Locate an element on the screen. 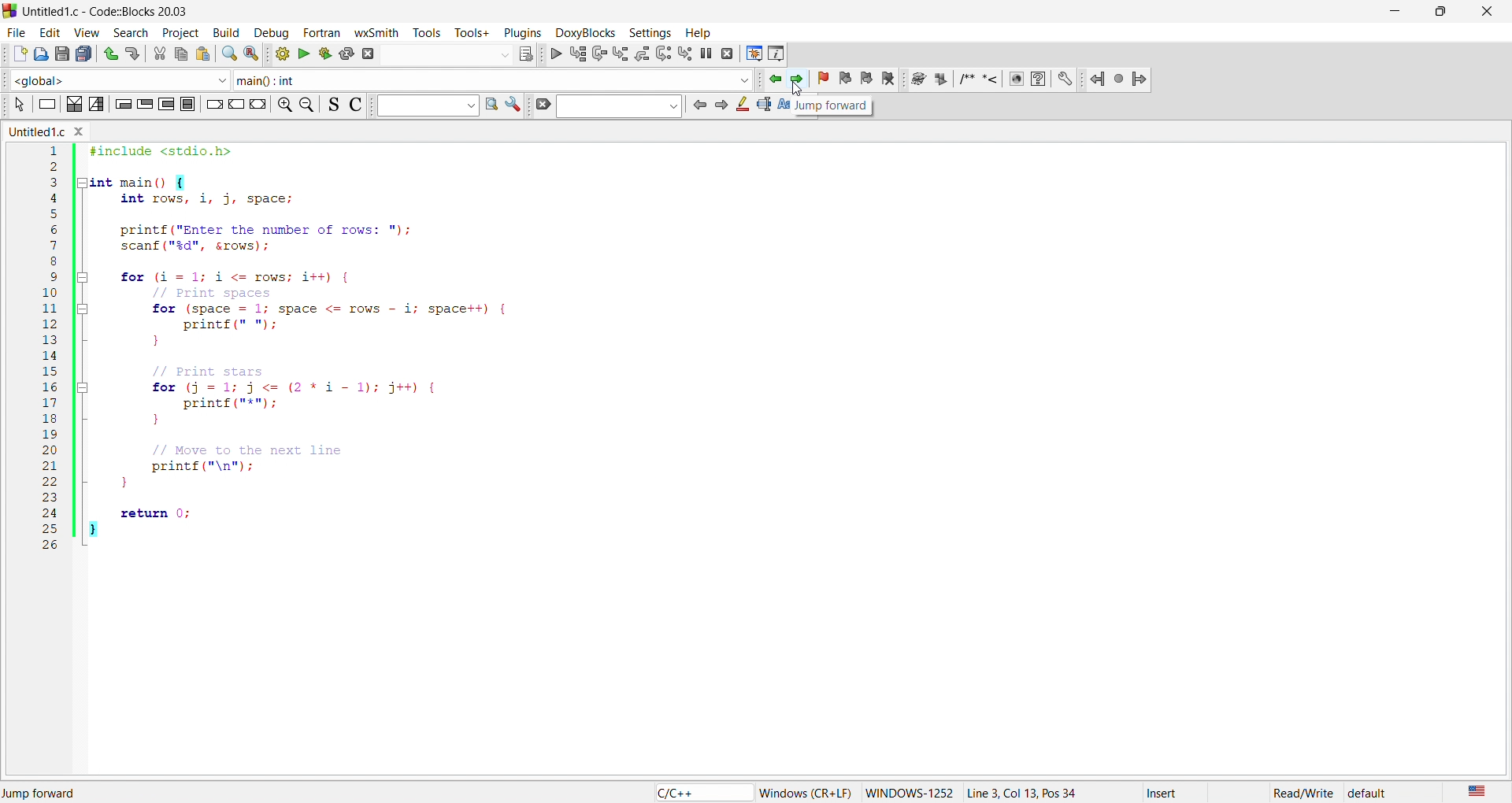 This screenshot has height=803, width=1512. plugins is located at coordinates (523, 31).